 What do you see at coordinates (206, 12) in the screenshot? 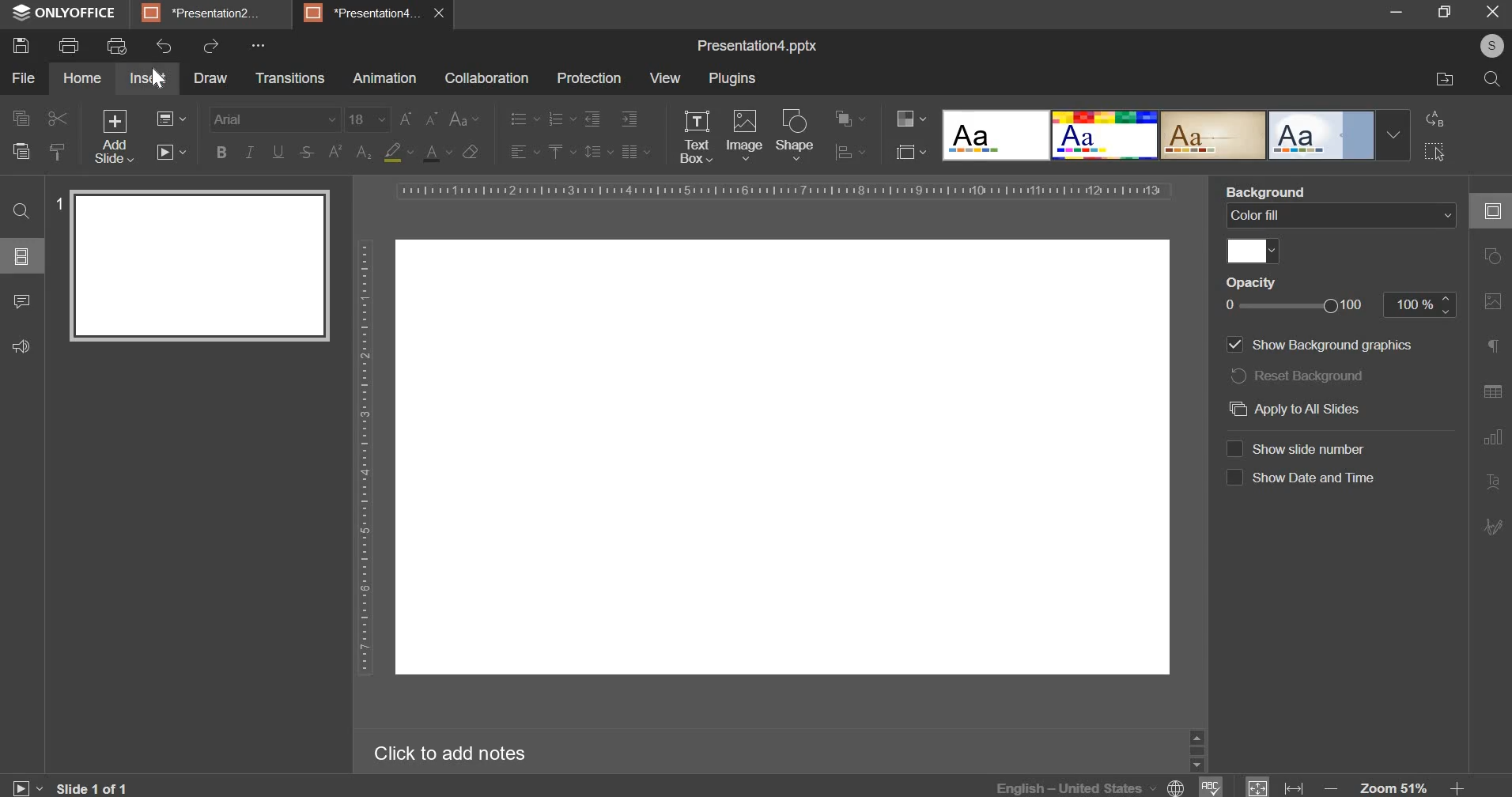
I see `Presentation2` at bounding box center [206, 12].